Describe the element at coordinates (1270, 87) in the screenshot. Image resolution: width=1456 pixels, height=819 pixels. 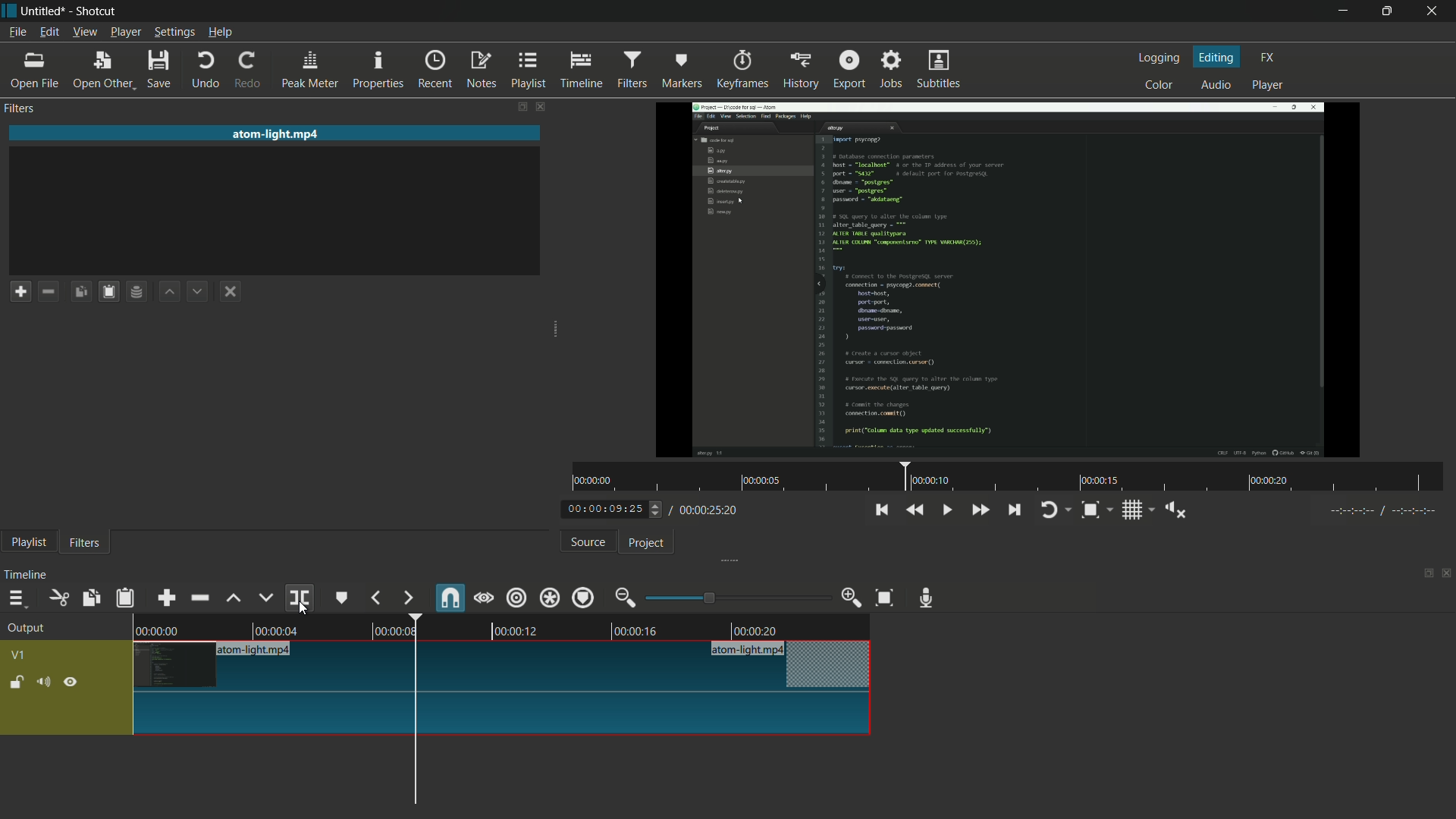
I see `player` at that location.